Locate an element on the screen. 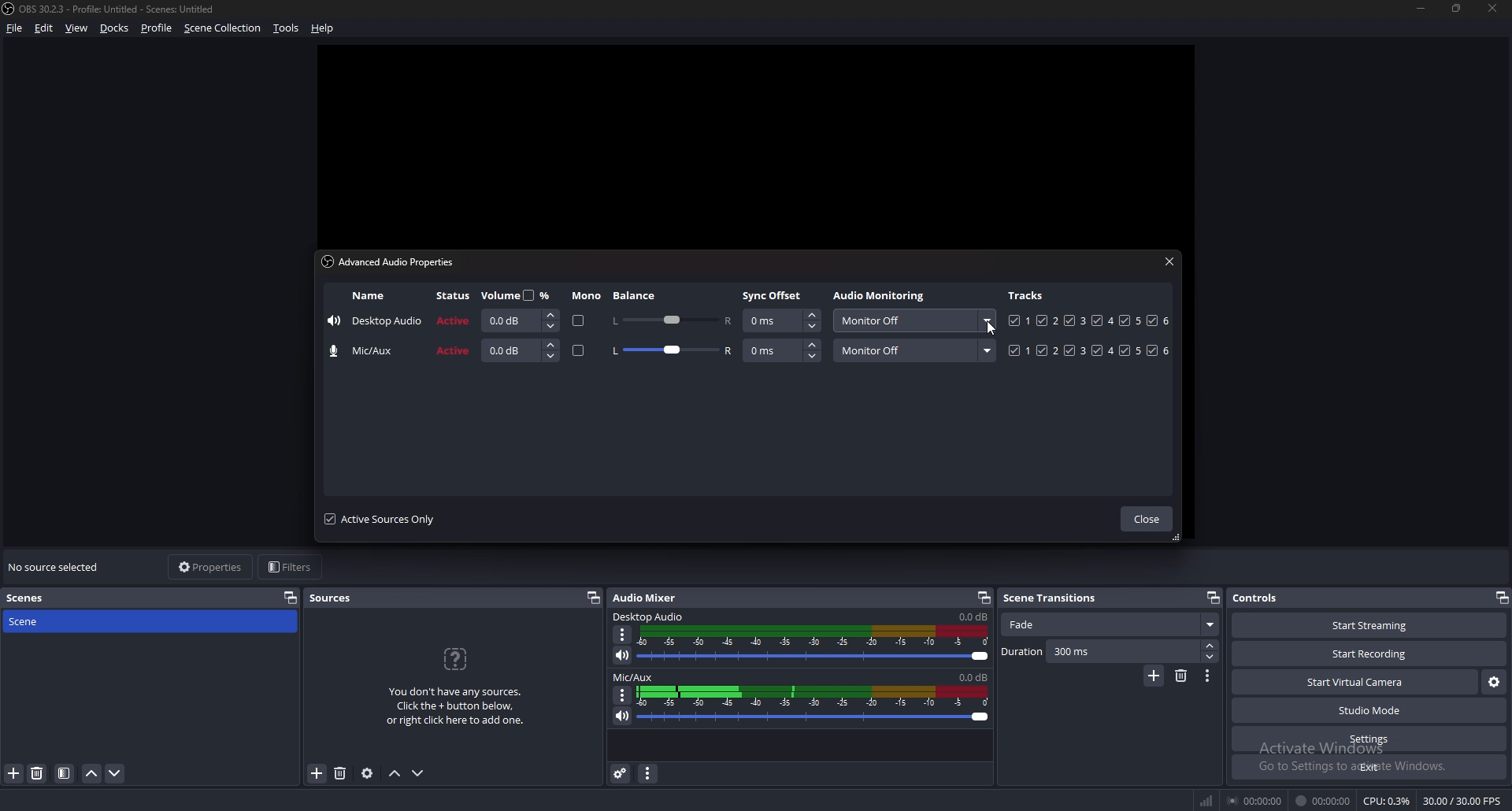 This screenshot has height=811, width=1512. audio mixer menu is located at coordinates (650, 774).